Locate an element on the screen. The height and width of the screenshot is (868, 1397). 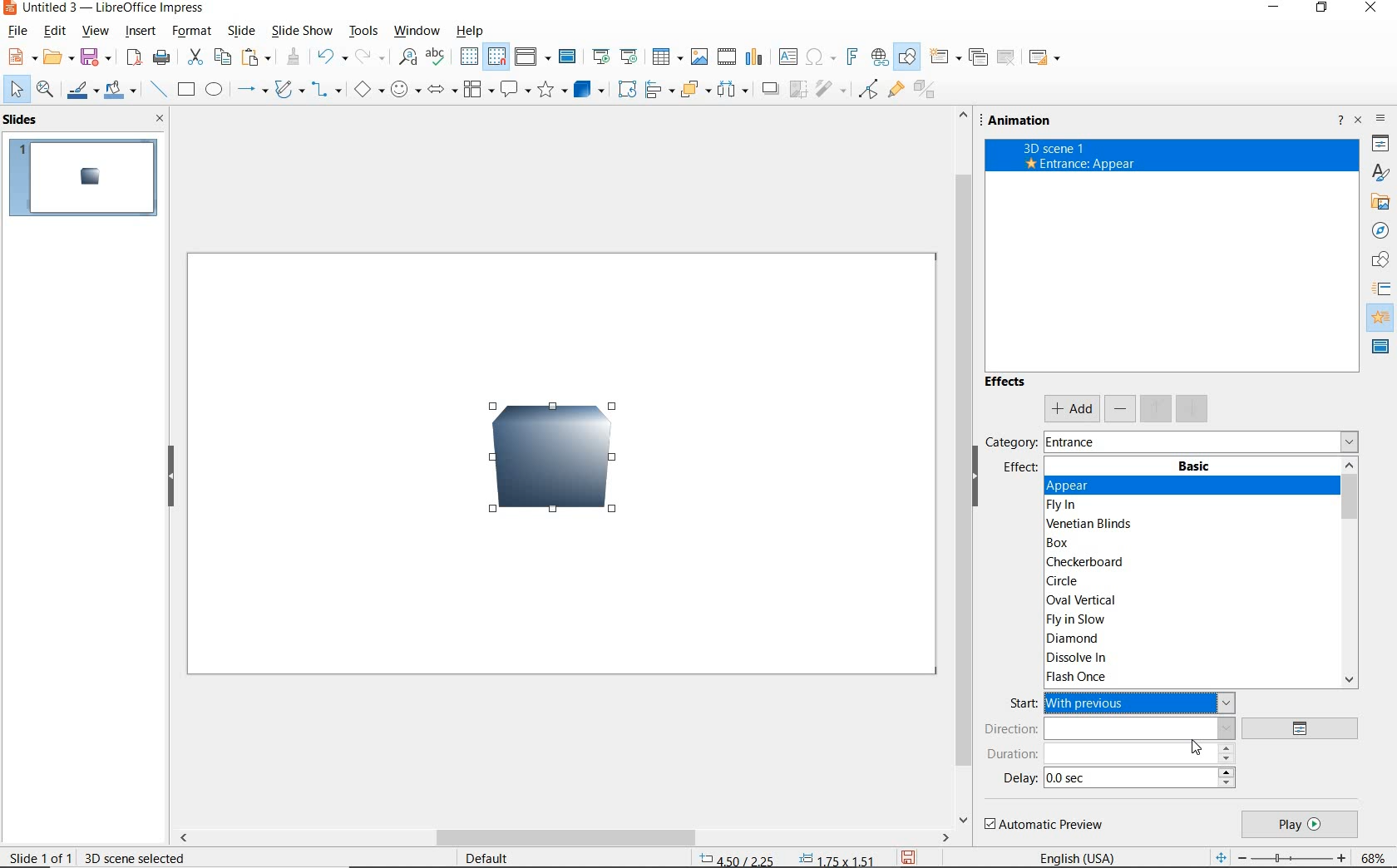
FLASH ONCE is located at coordinates (1079, 677).